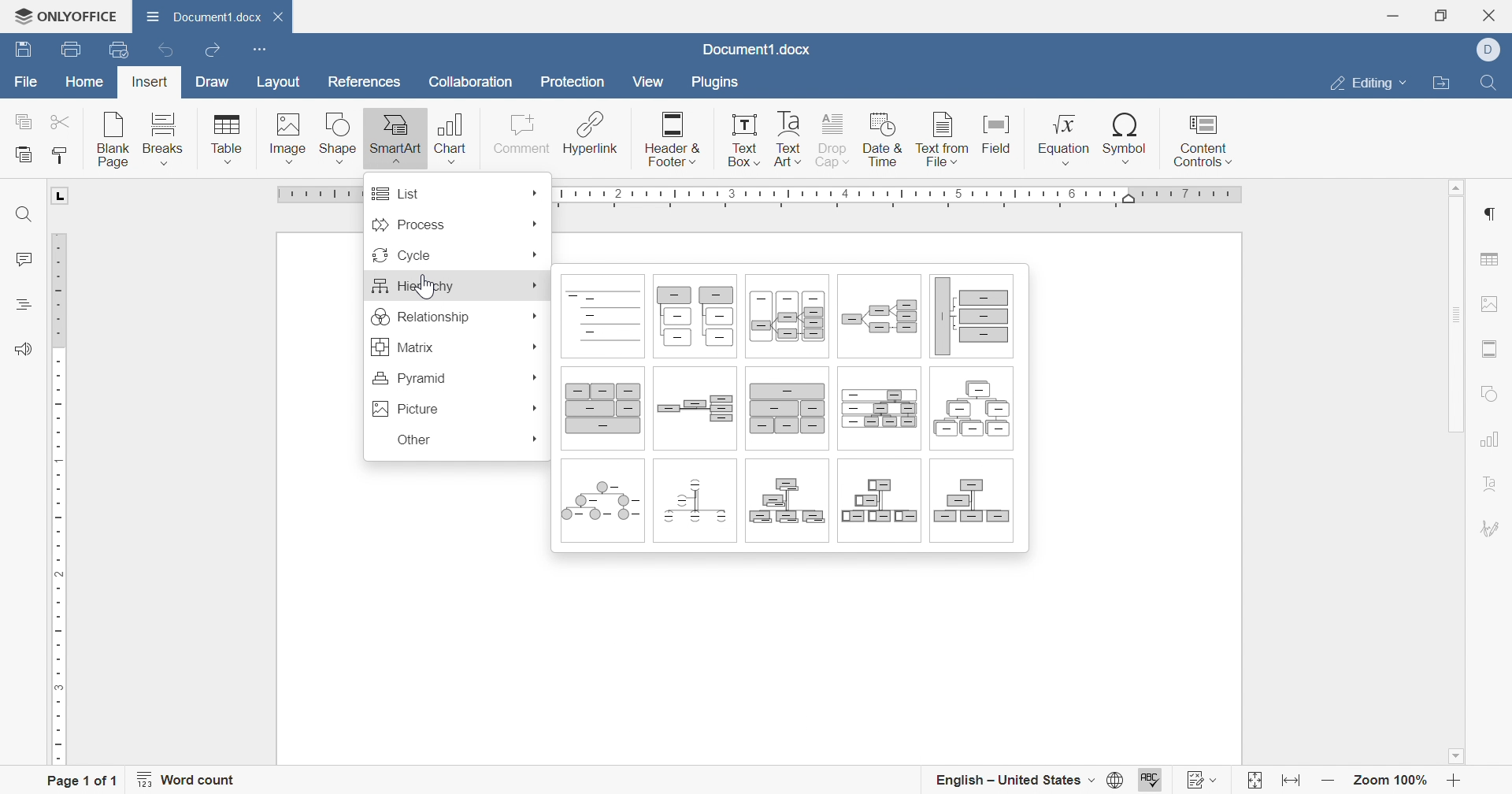 Image resolution: width=1512 pixels, height=794 pixels. I want to click on More, so click(535, 314).